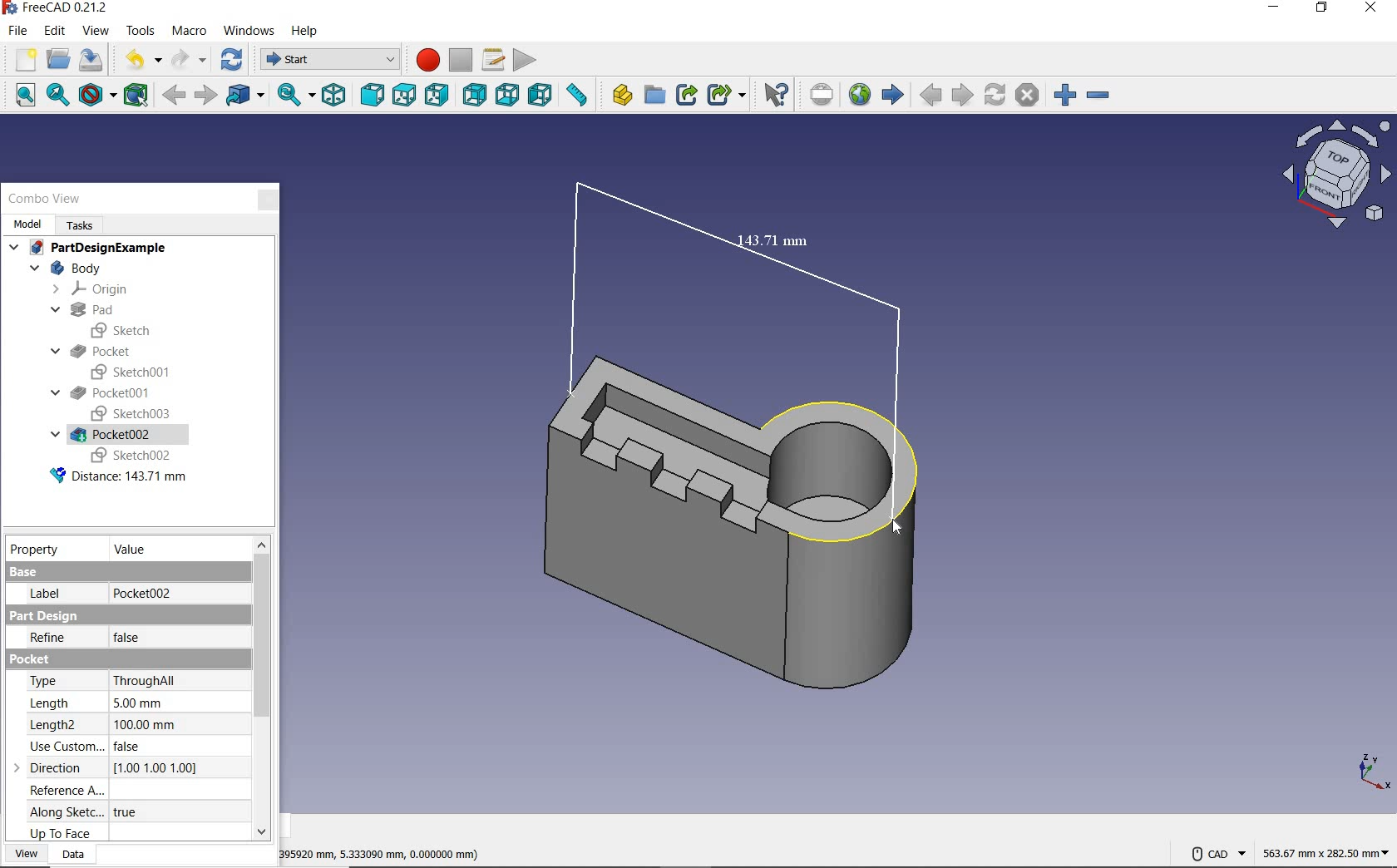 The width and height of the screenshot is (1397, 868). Describe the element at coordinates (234, 60) in the screenshot. I see `refresh` at that location.